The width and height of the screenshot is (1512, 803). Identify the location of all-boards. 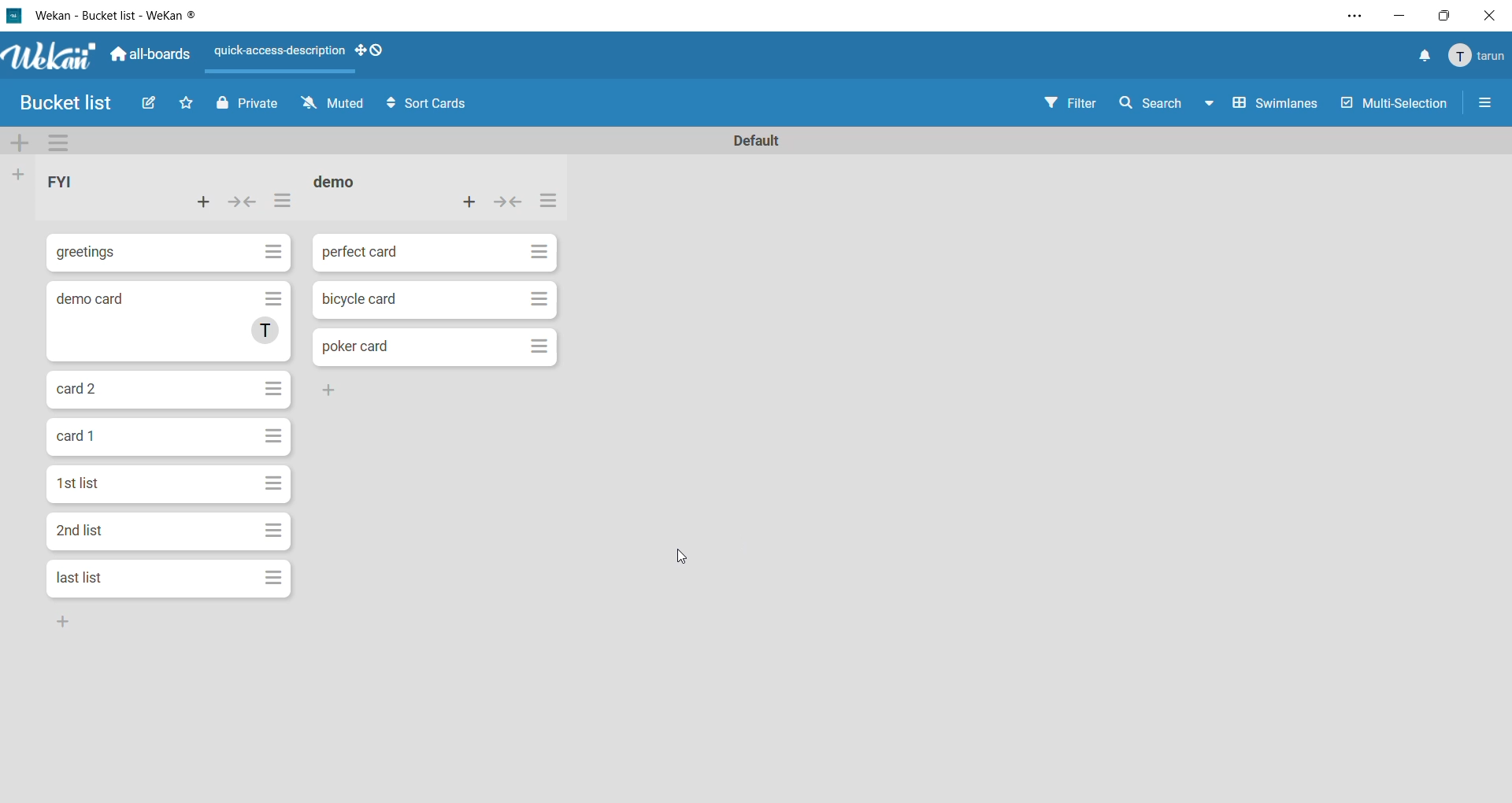
(150, 56).